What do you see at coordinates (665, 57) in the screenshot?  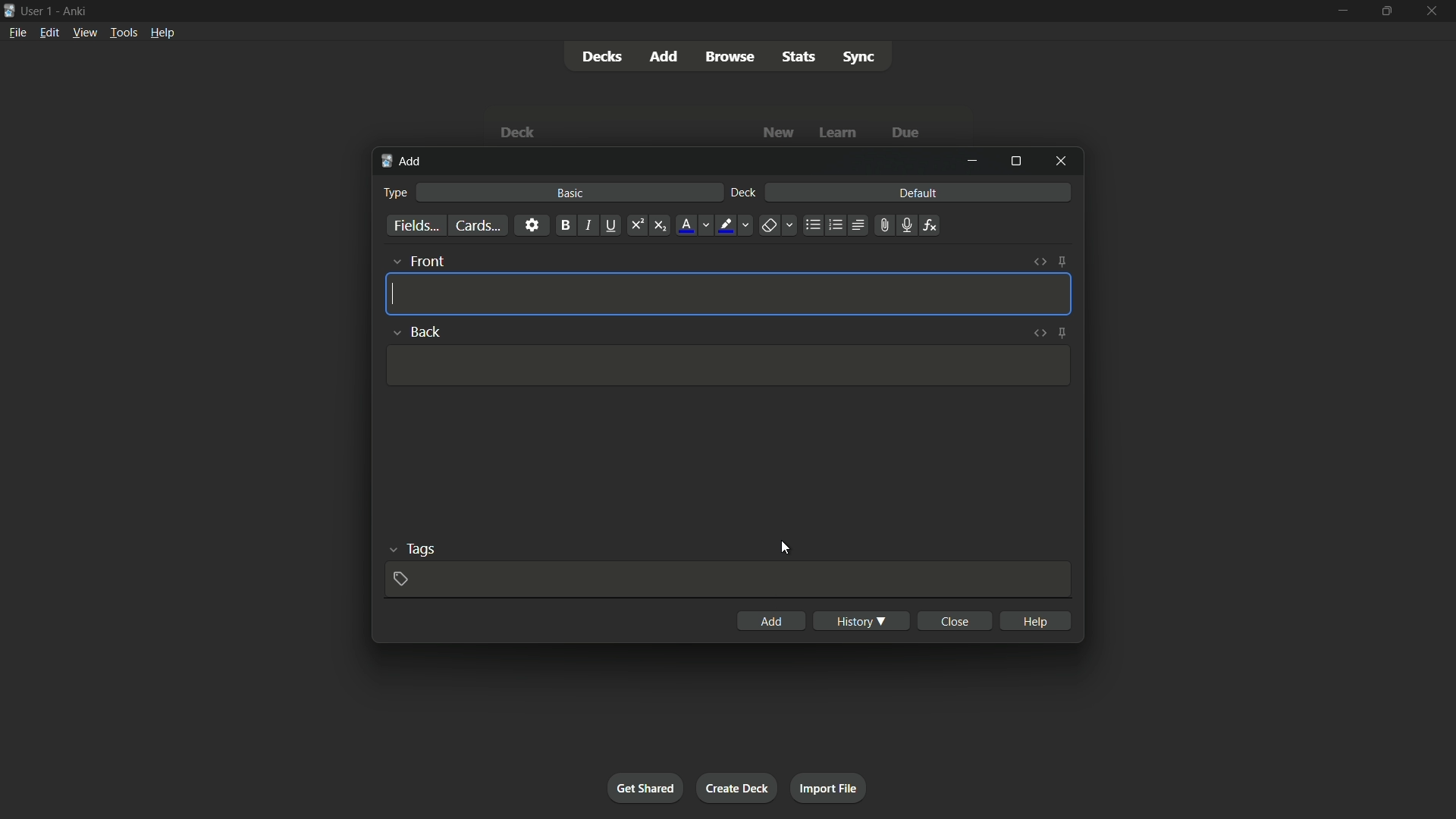 I see `add` at bounding box center [665, 57].